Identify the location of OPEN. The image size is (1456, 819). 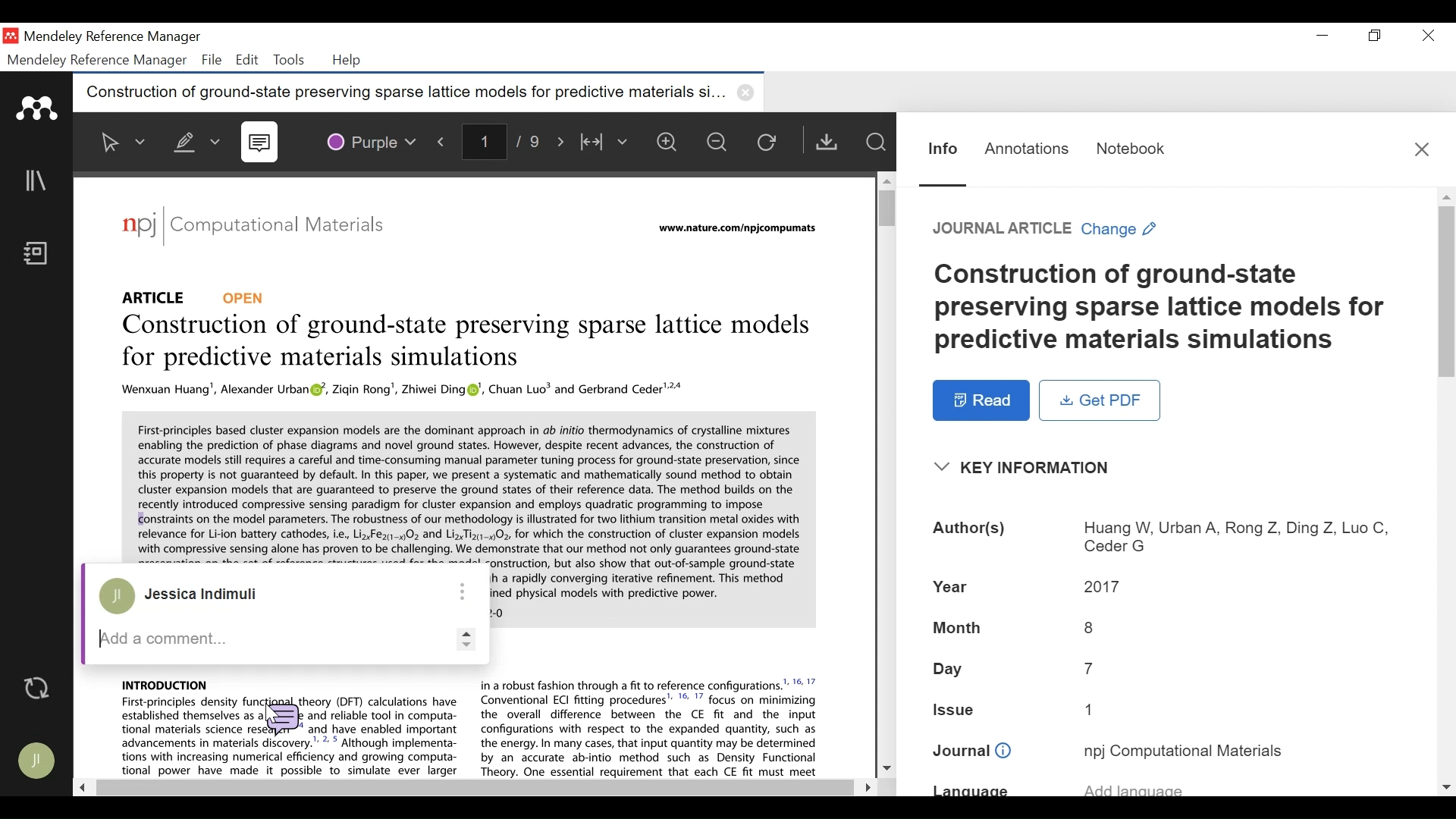
(248, 297).